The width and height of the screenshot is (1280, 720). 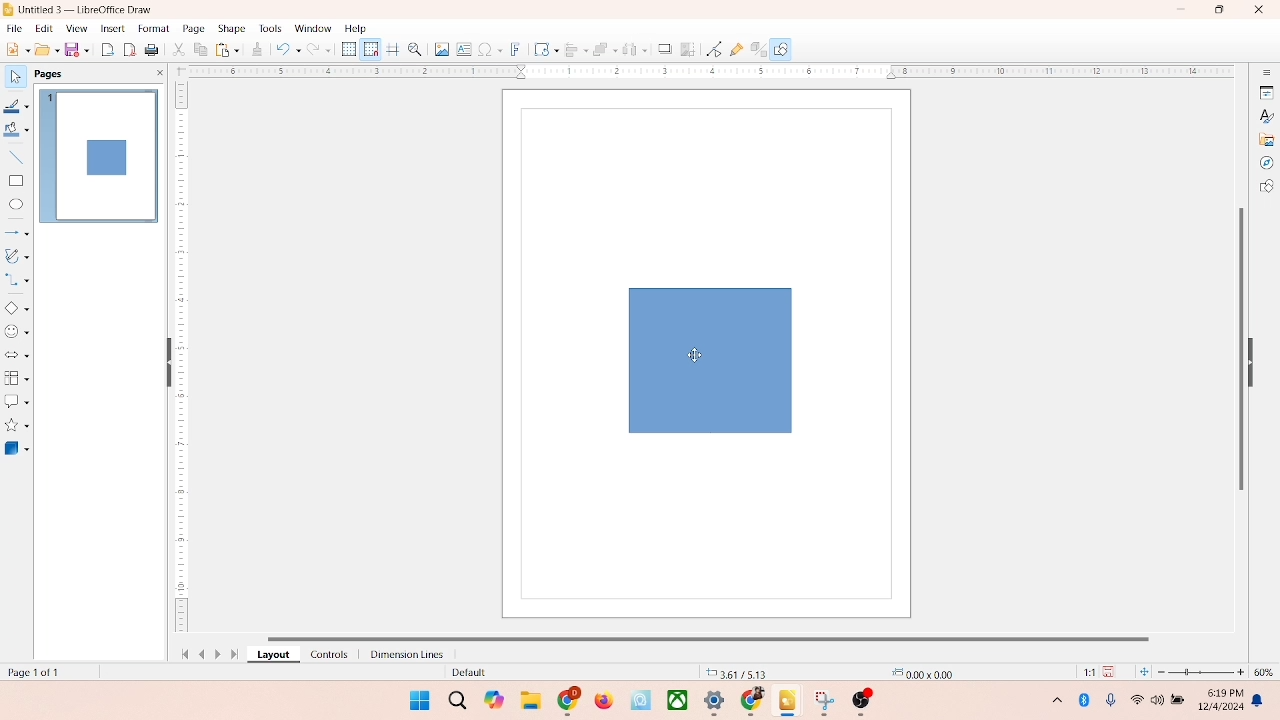 I want to click on close, so click(x=1254, y=11).